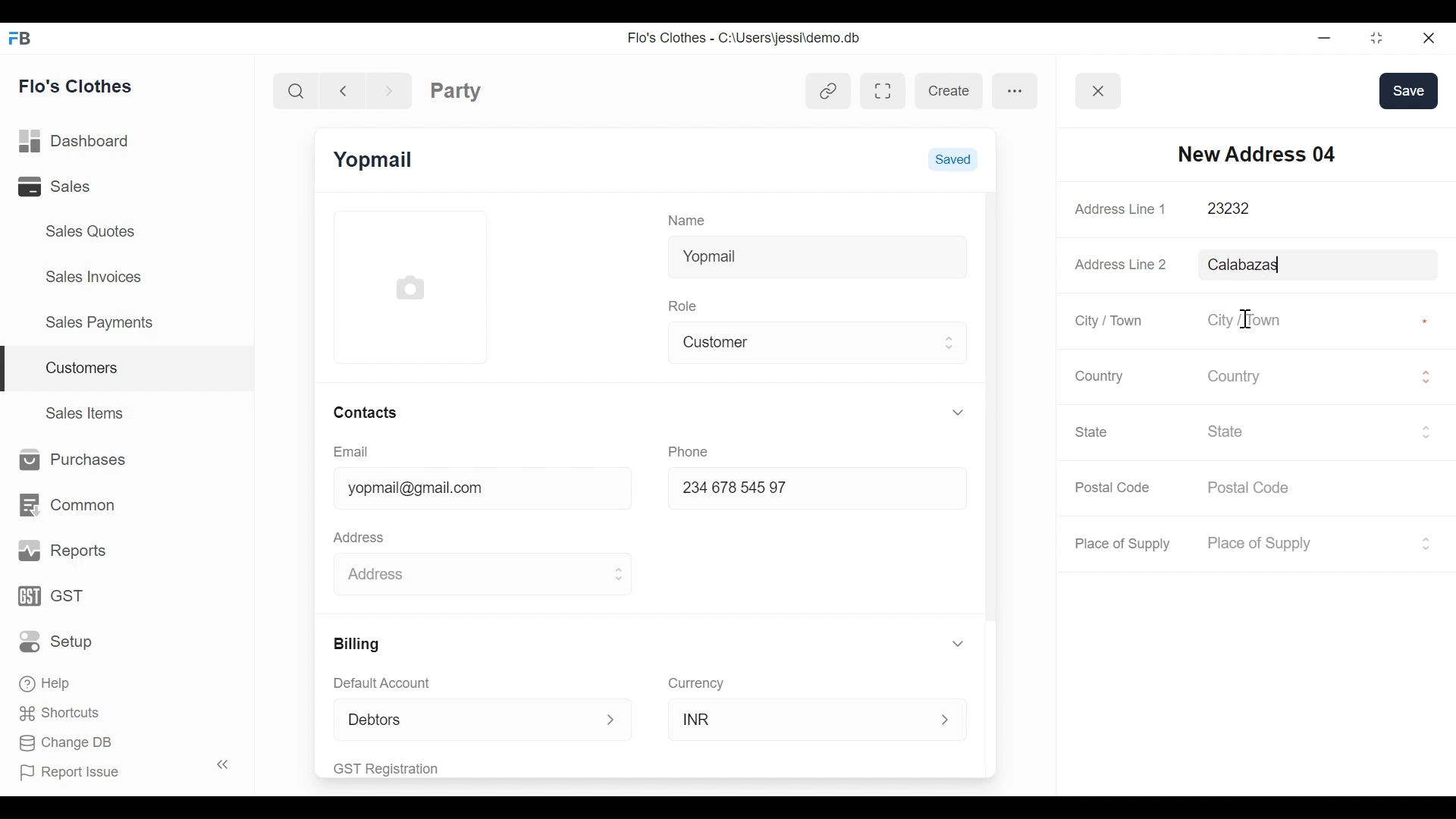 The height and width of the screenshot is (819, 1456). What do you see at coordinates (617, 575) in the screenshot?
I see `Expand` at bounding box center [617, 575].